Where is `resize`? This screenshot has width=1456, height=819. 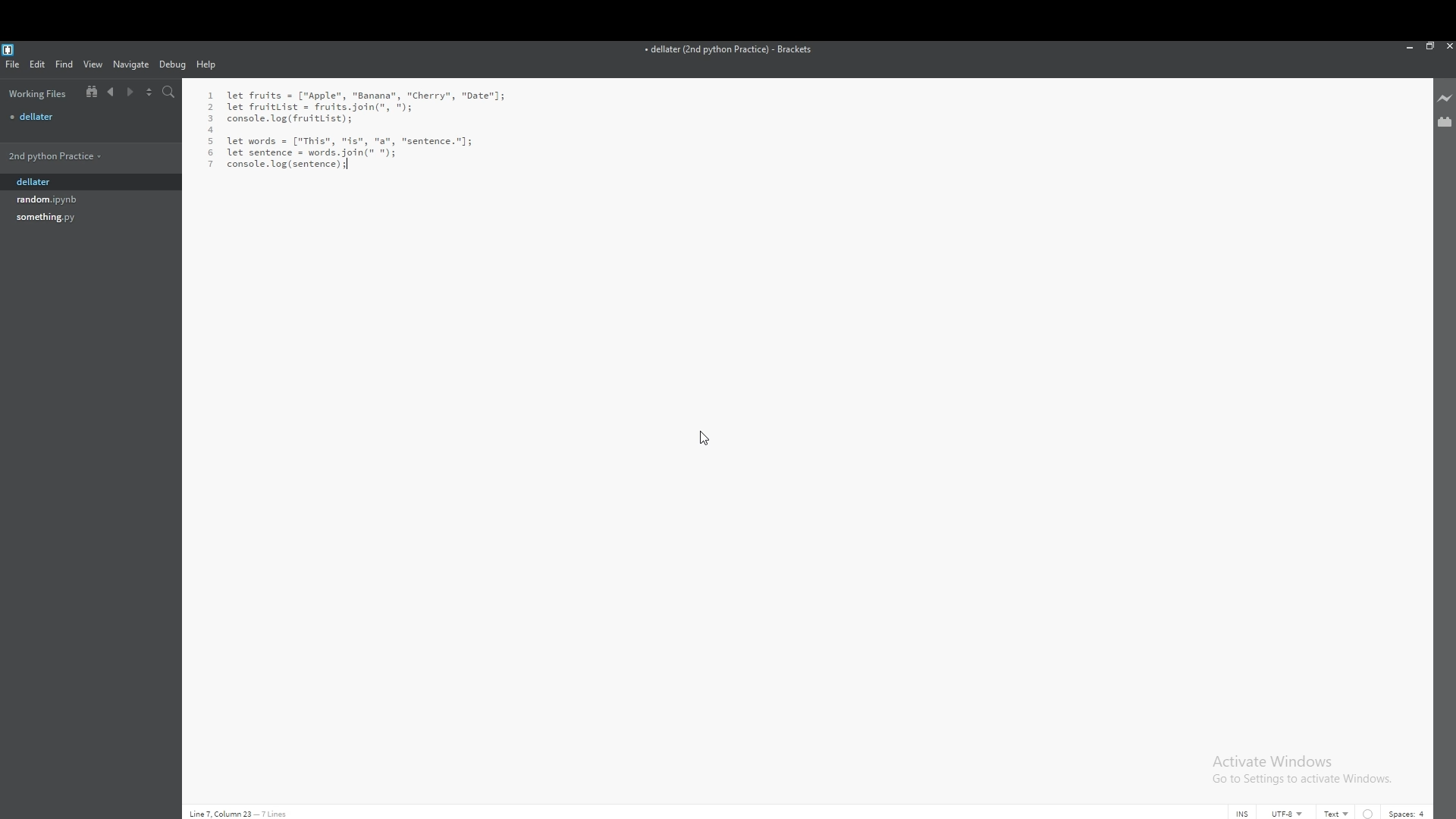
resize is located at coordinates (1429, 45).